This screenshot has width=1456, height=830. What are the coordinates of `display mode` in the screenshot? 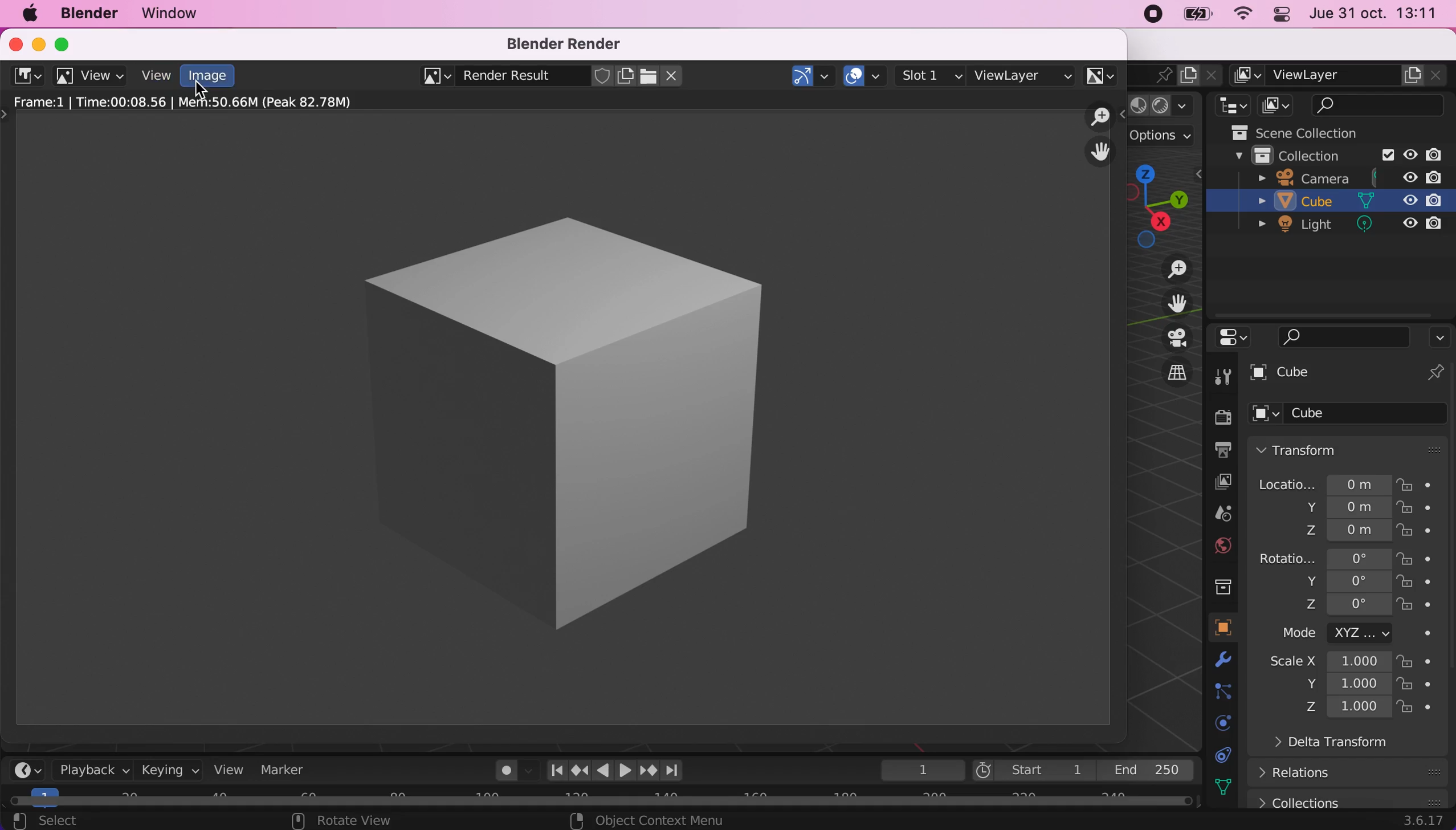 It's located at (1279, 105).